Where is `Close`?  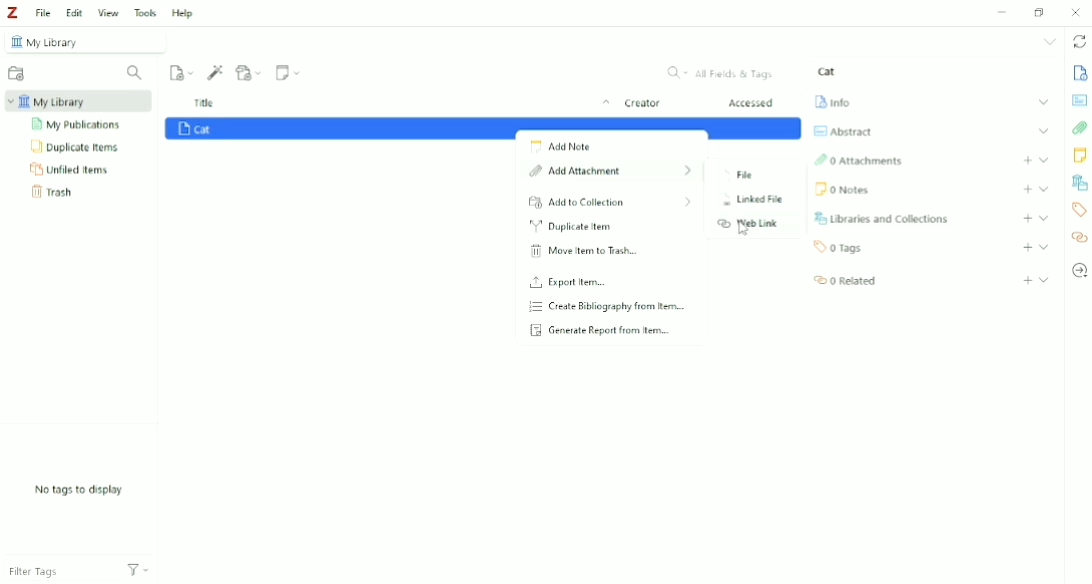
Close is located at coordinates (1075, 12).